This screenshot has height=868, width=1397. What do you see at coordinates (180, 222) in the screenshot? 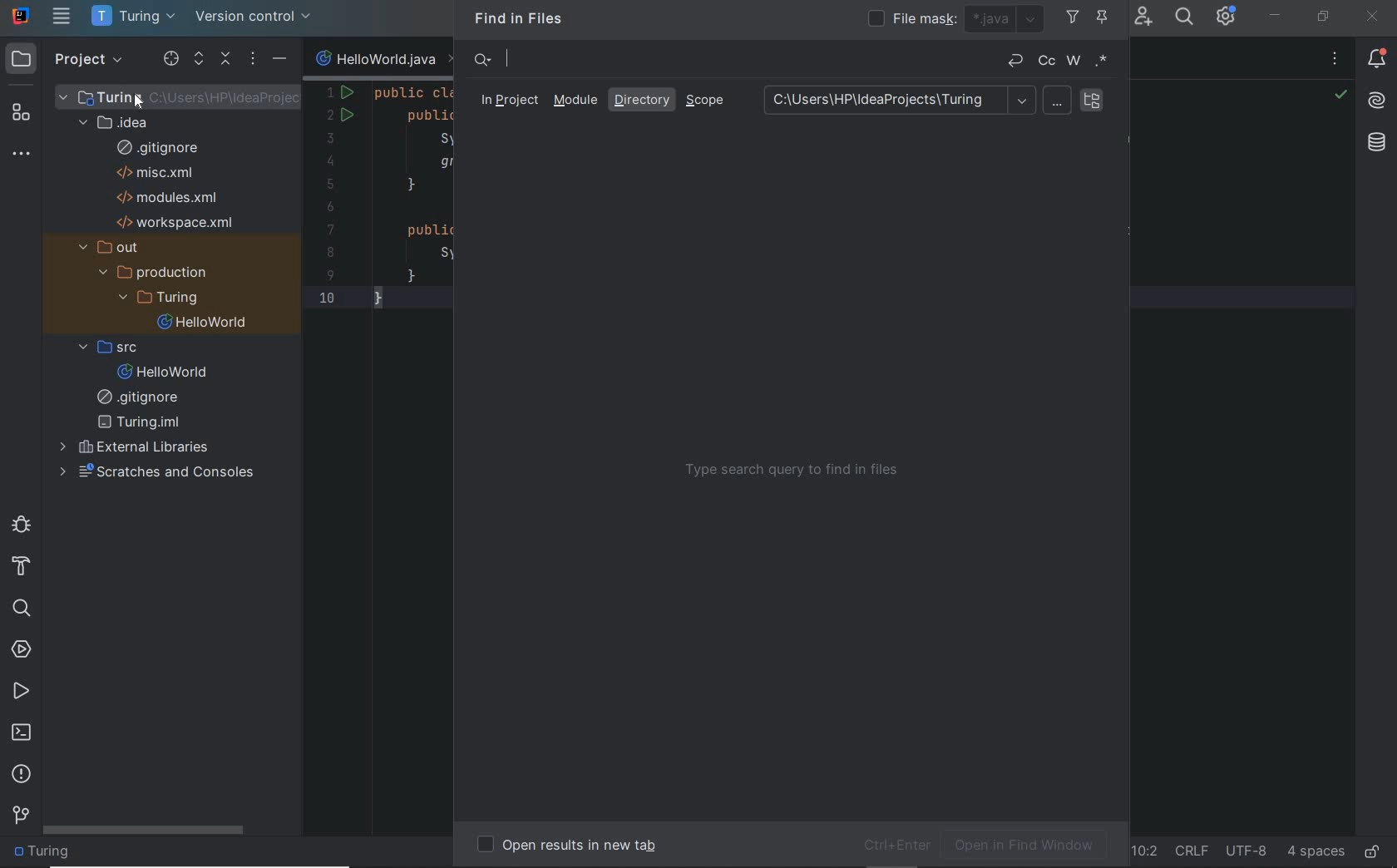
I see `workspace.xml` at bounding box center [180, 222].